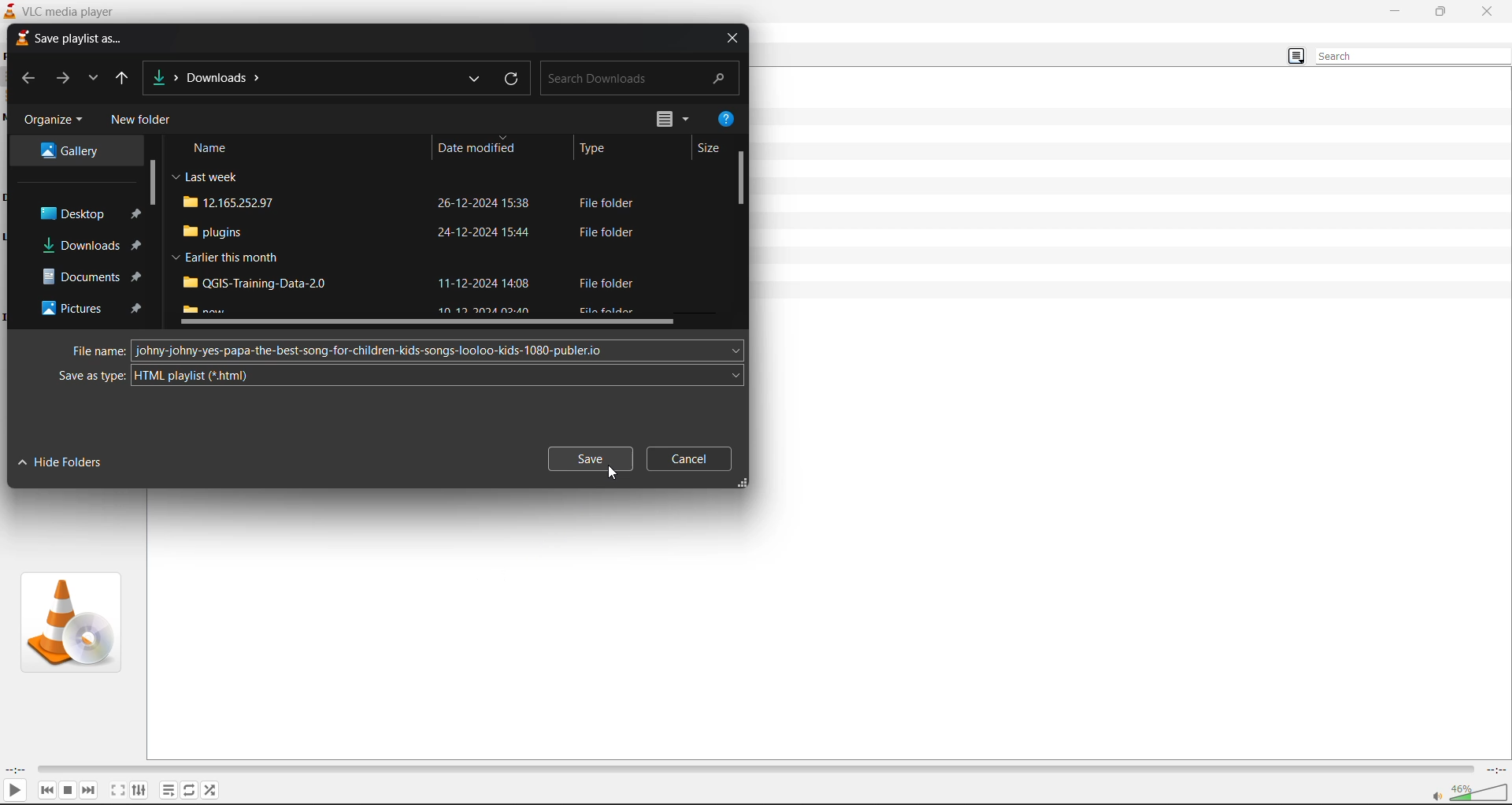 The height and width of the screenshot is (805, 1512). I want to click on vertical scroll bar, so click(742, 176).